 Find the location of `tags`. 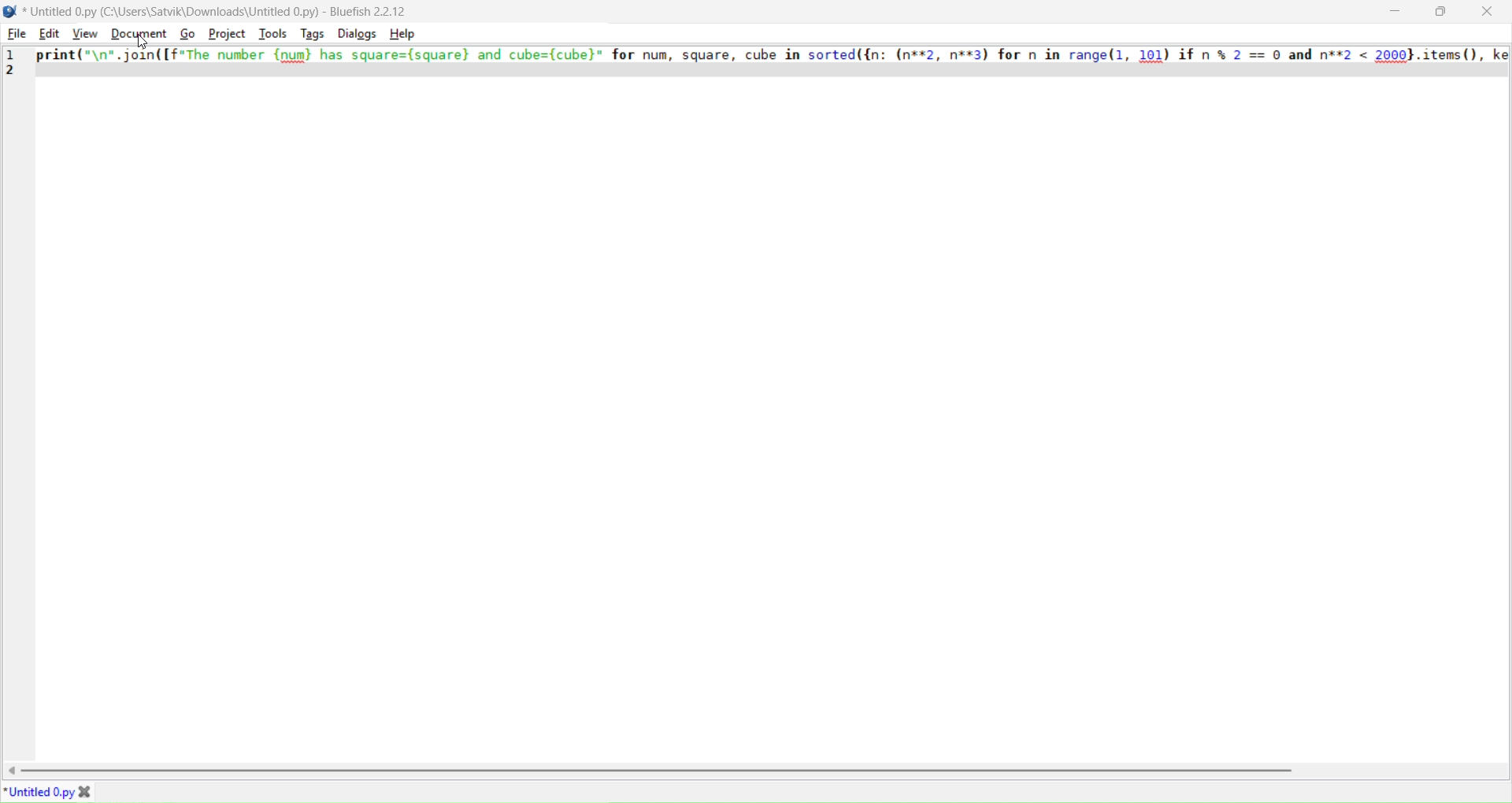

tags is located at coordinates (310, 34).